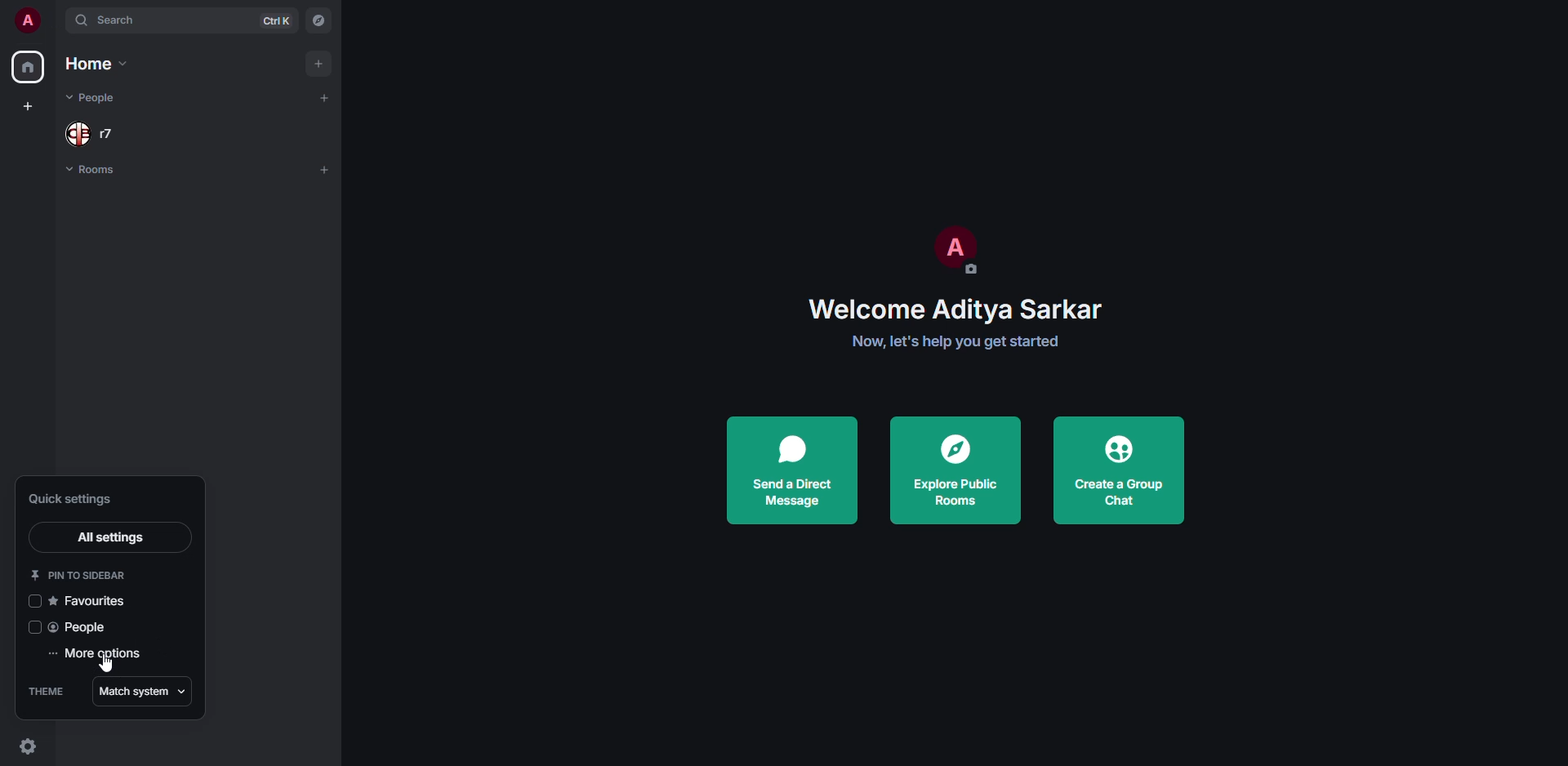 This screenshot has height=766, width=1568. What do you see at coordinates (71, 500) in the screenshot?
I see `quick settings` at bounding box center [71, 500].